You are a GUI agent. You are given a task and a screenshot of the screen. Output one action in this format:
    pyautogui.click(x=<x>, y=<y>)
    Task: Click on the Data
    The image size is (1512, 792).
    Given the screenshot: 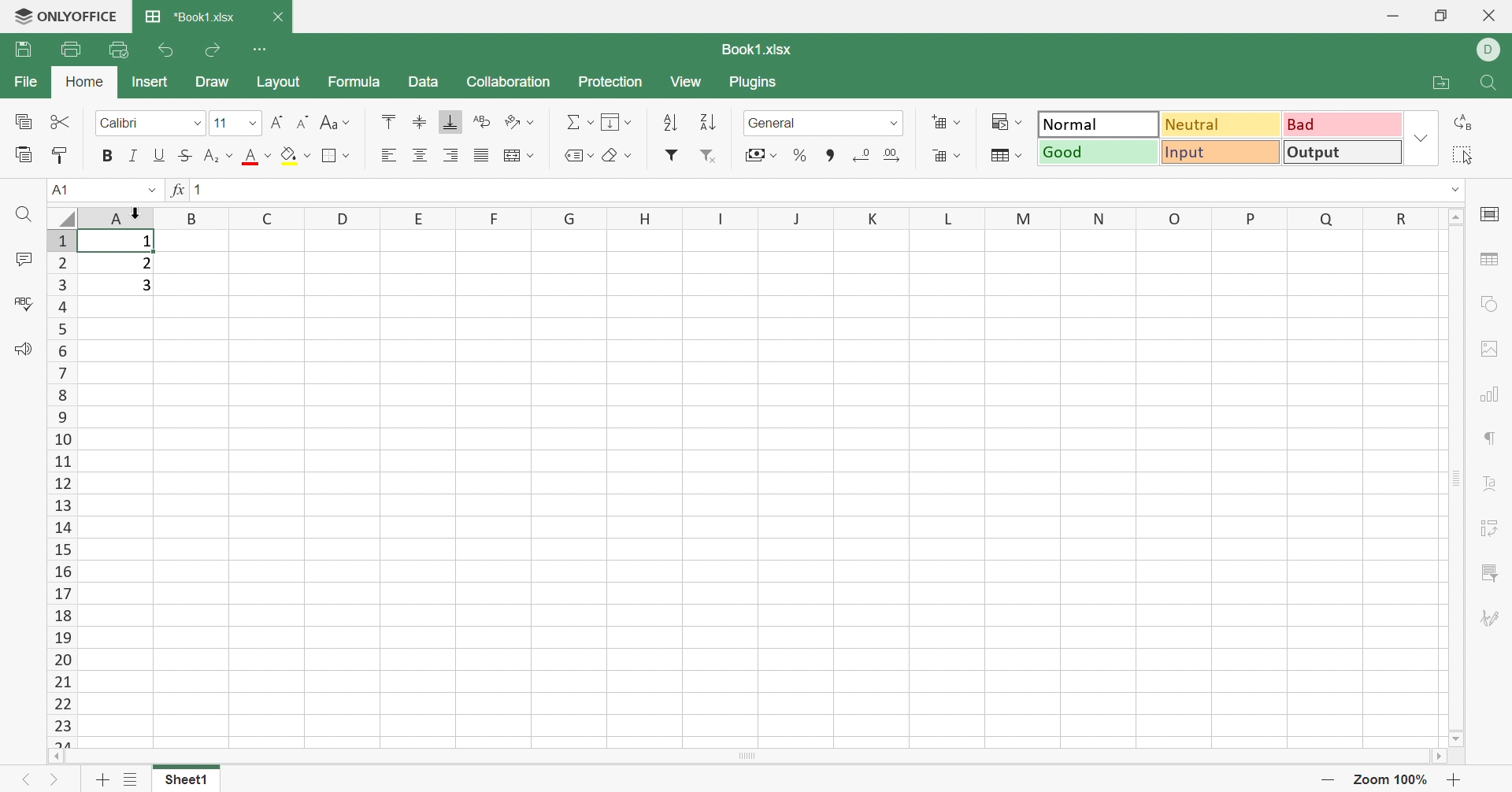 What is the action you would take?
    pyautogui.click(x=424, y=81)
    